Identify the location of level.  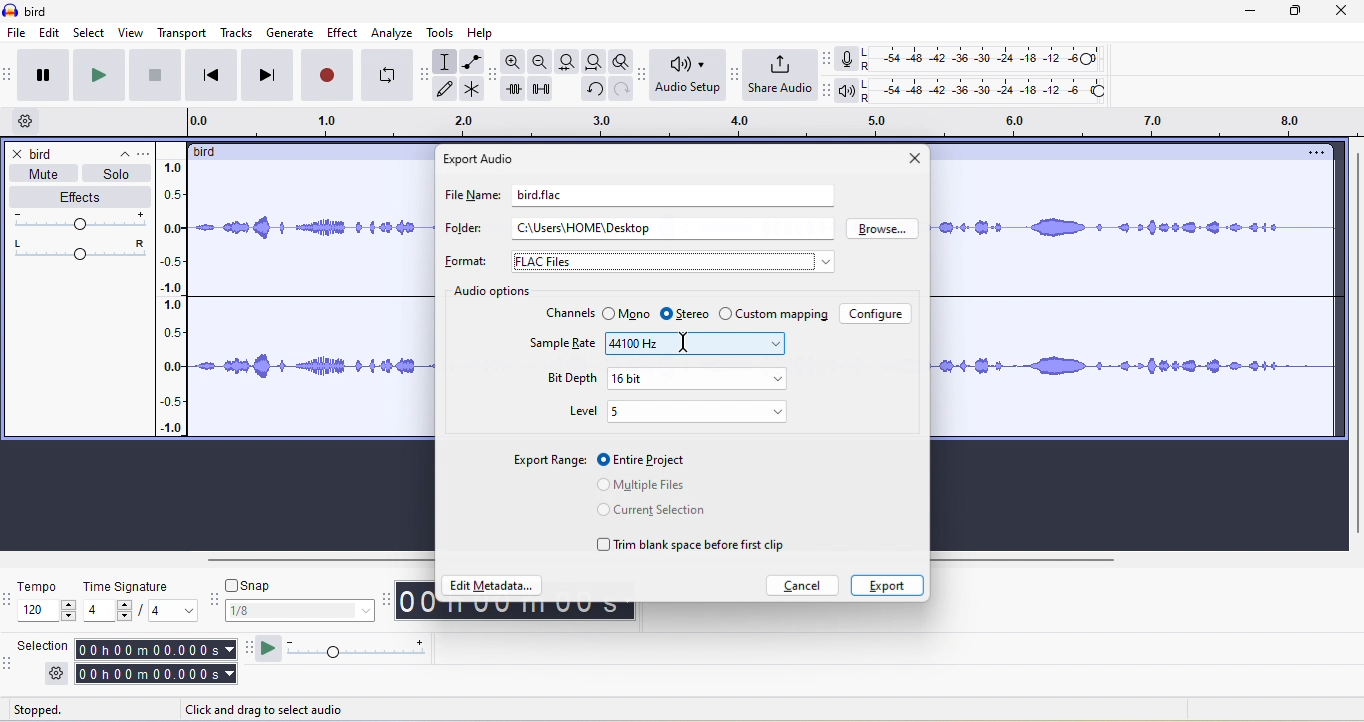
(582, 410).